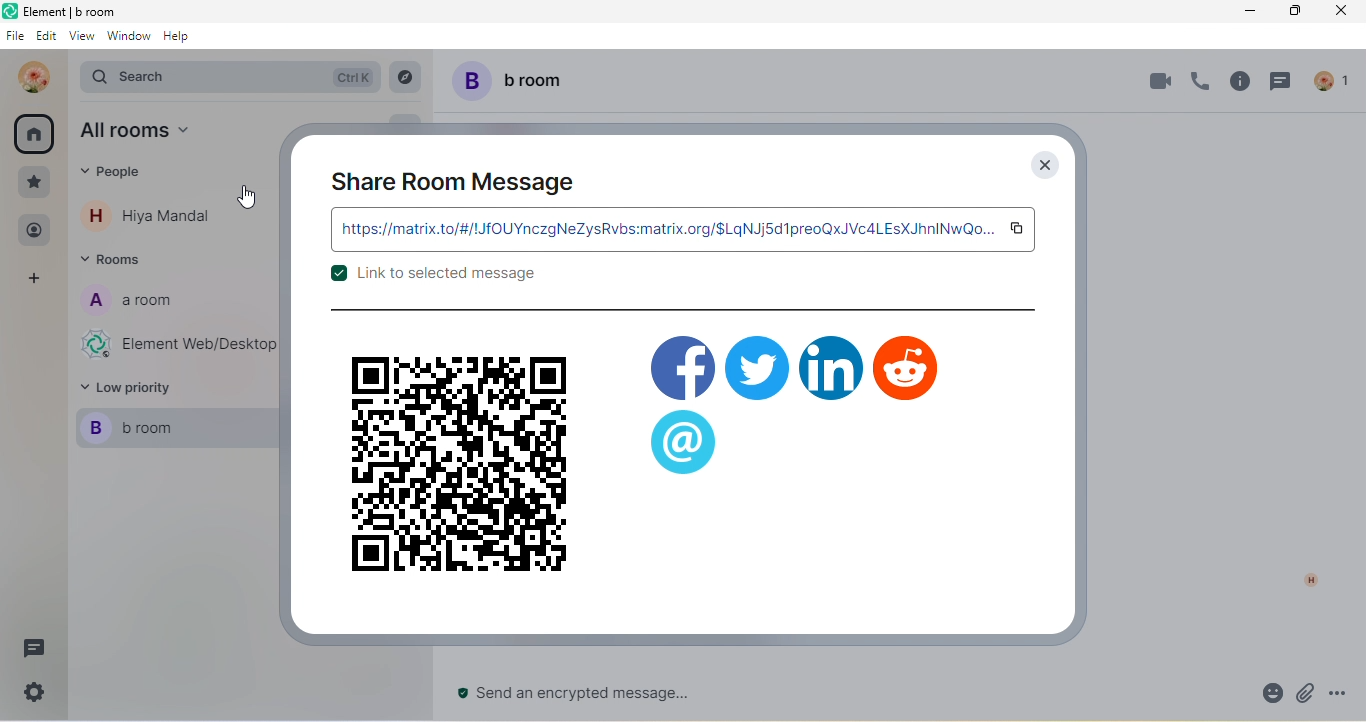  Describe the element at coordinates (47, 38) in the screenshot. I see `edit` at that location.